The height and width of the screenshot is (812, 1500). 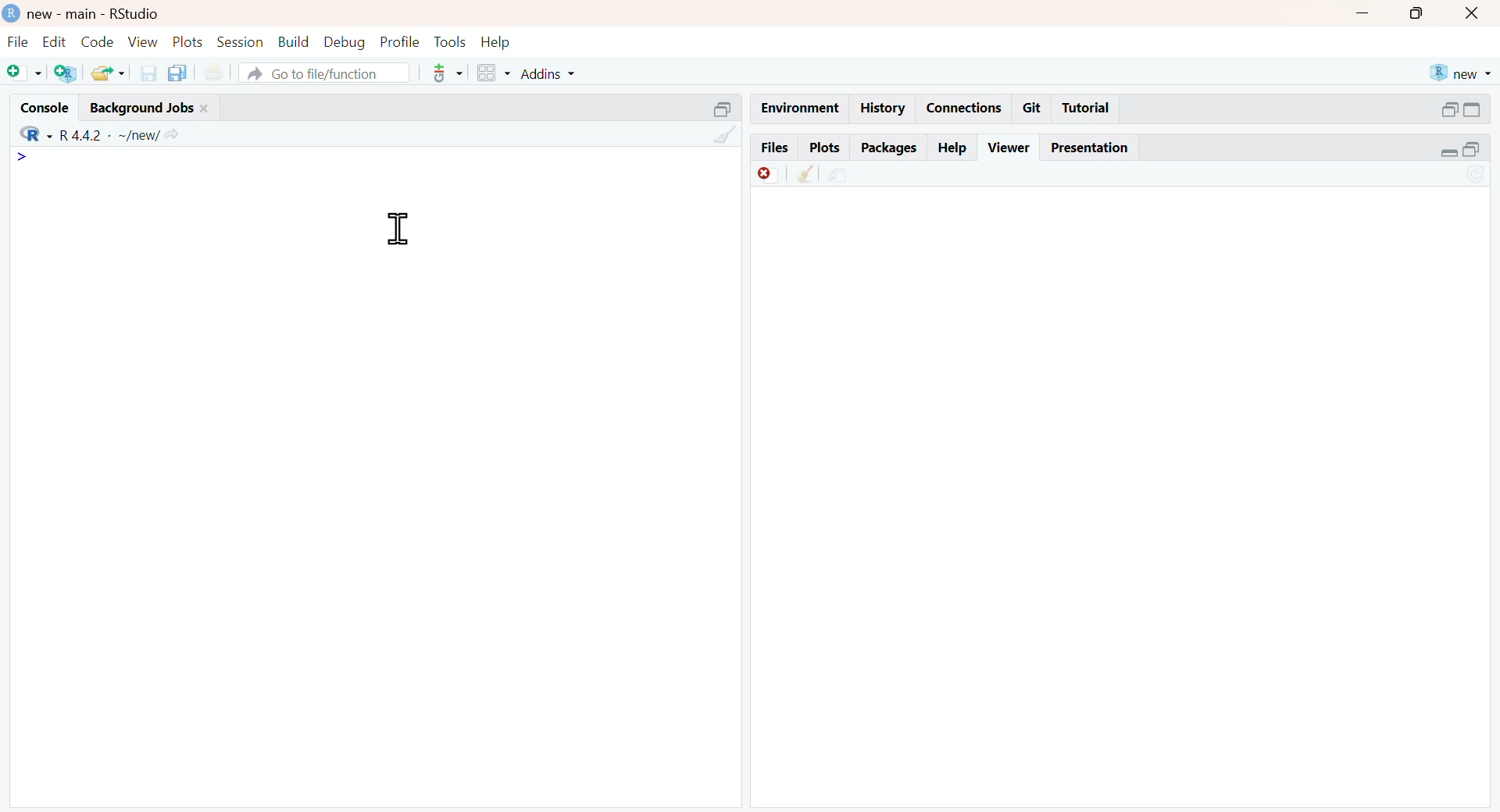 I want to click on Save all open documents, so click(x=177, y=73).